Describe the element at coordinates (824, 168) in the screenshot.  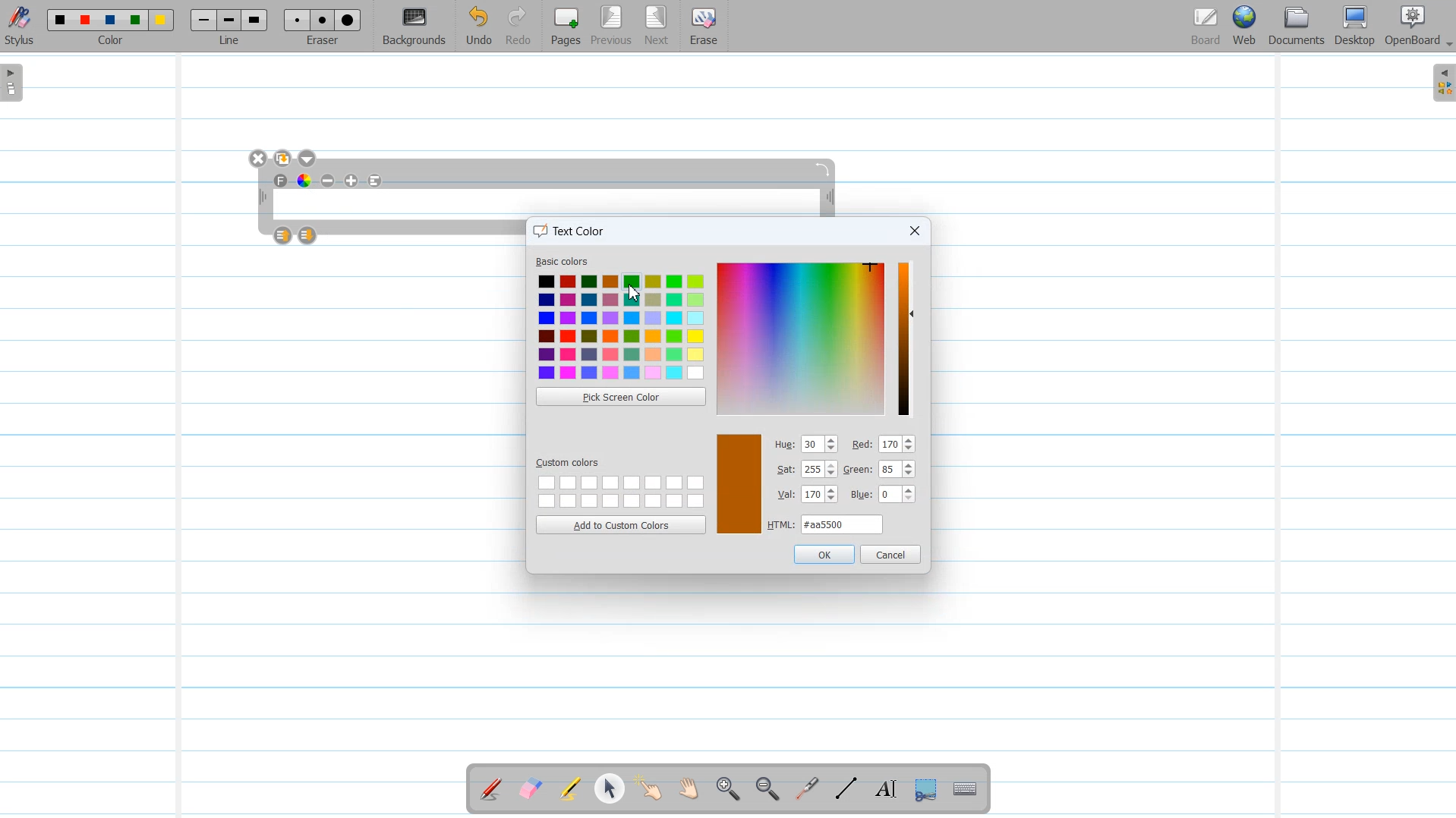
I see `Rotate Text window` at that location.